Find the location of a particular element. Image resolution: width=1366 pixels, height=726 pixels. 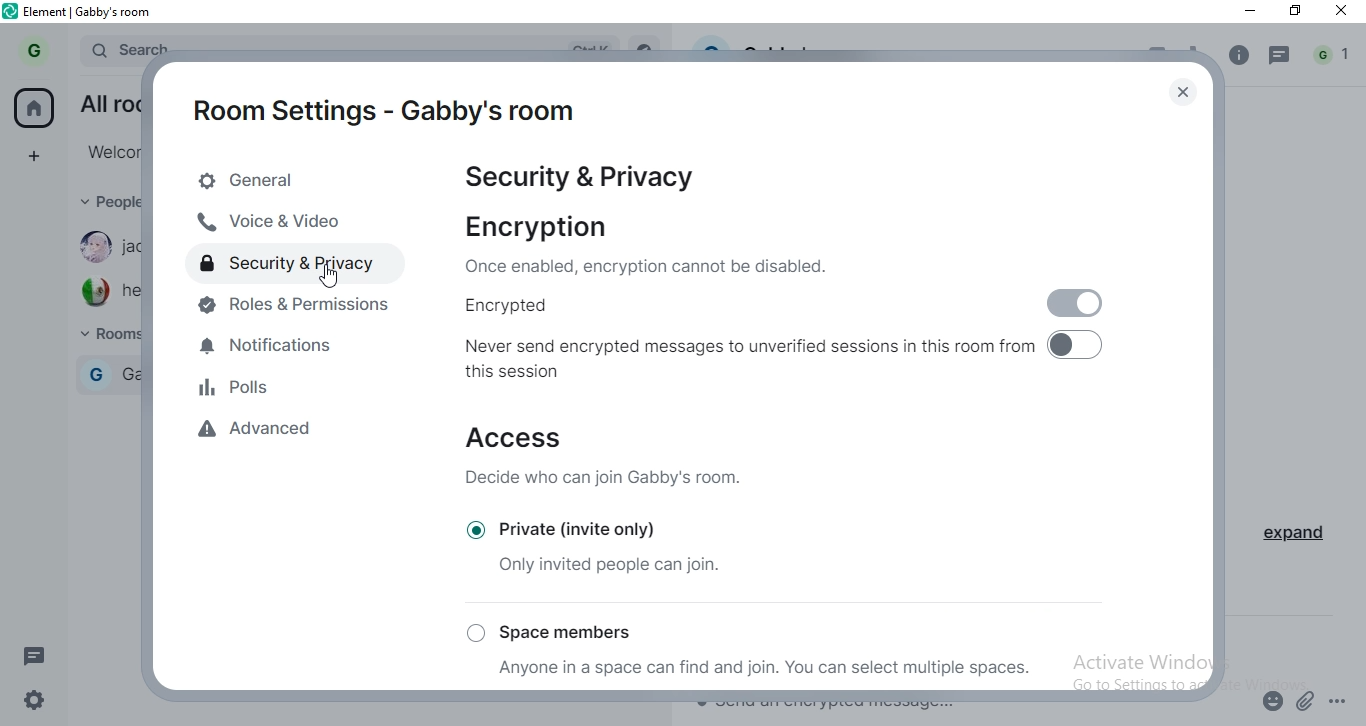

message is located at coordinates (40, 658).